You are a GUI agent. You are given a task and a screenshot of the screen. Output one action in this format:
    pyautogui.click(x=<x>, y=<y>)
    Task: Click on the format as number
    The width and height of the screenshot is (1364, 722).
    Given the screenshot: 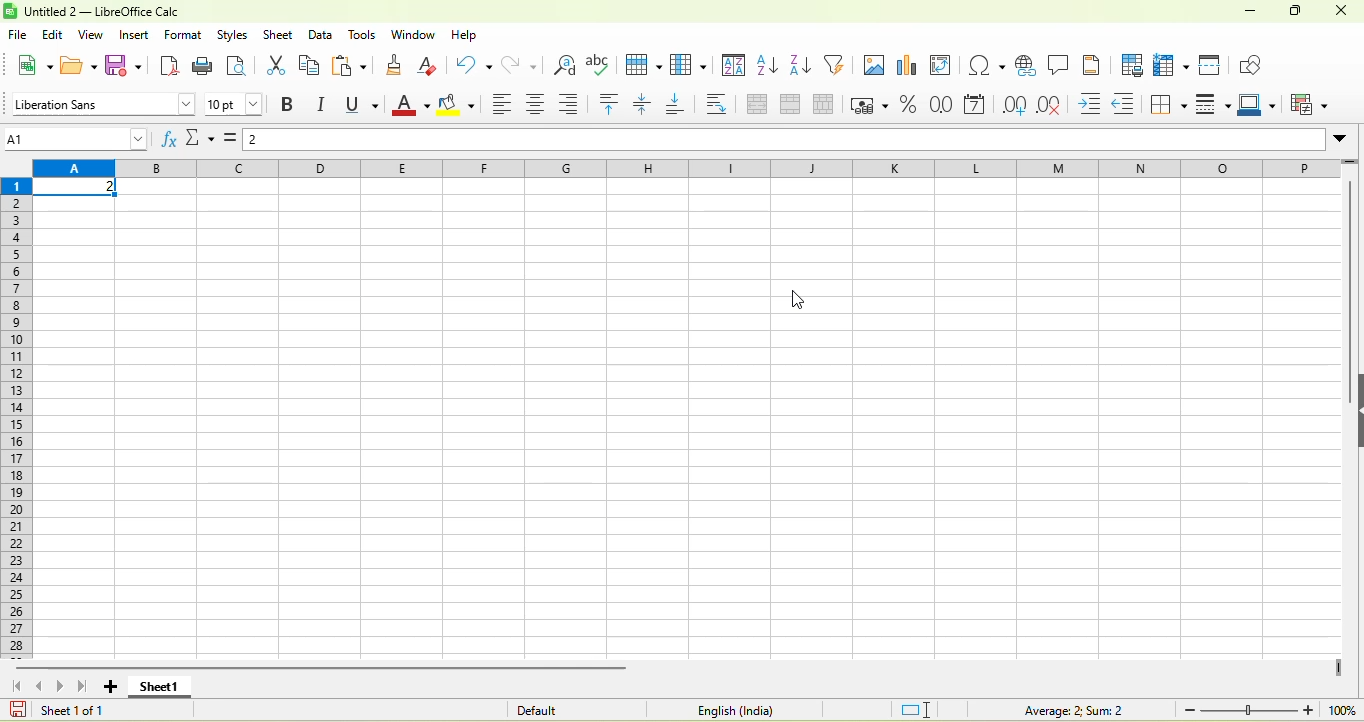 What is the action you would take?
    pyautogui.click(x=944, y=106)
    